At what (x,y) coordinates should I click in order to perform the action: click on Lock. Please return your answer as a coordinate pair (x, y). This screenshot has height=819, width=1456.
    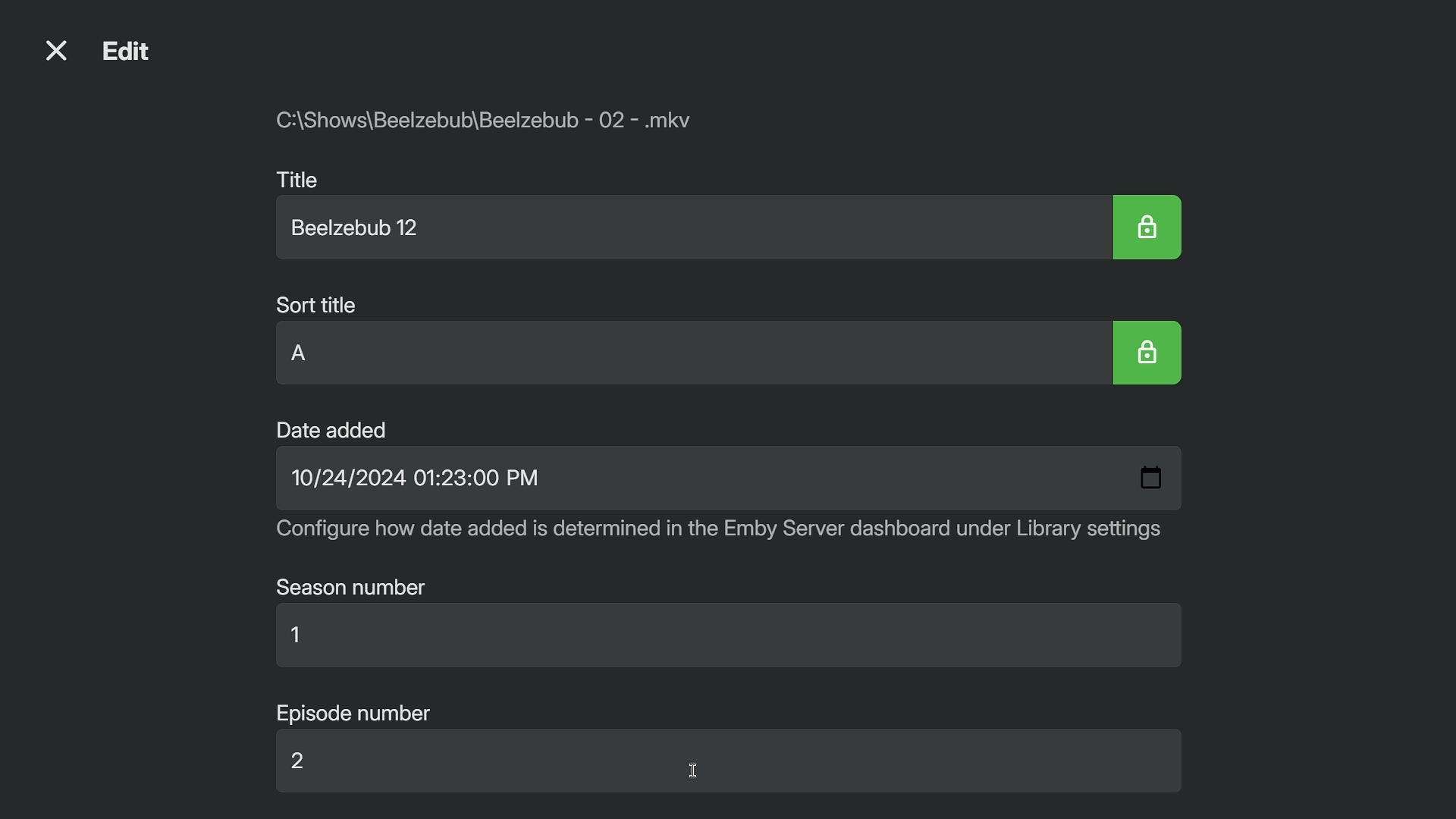
    Looking at the image, I should click on (1150, 226).